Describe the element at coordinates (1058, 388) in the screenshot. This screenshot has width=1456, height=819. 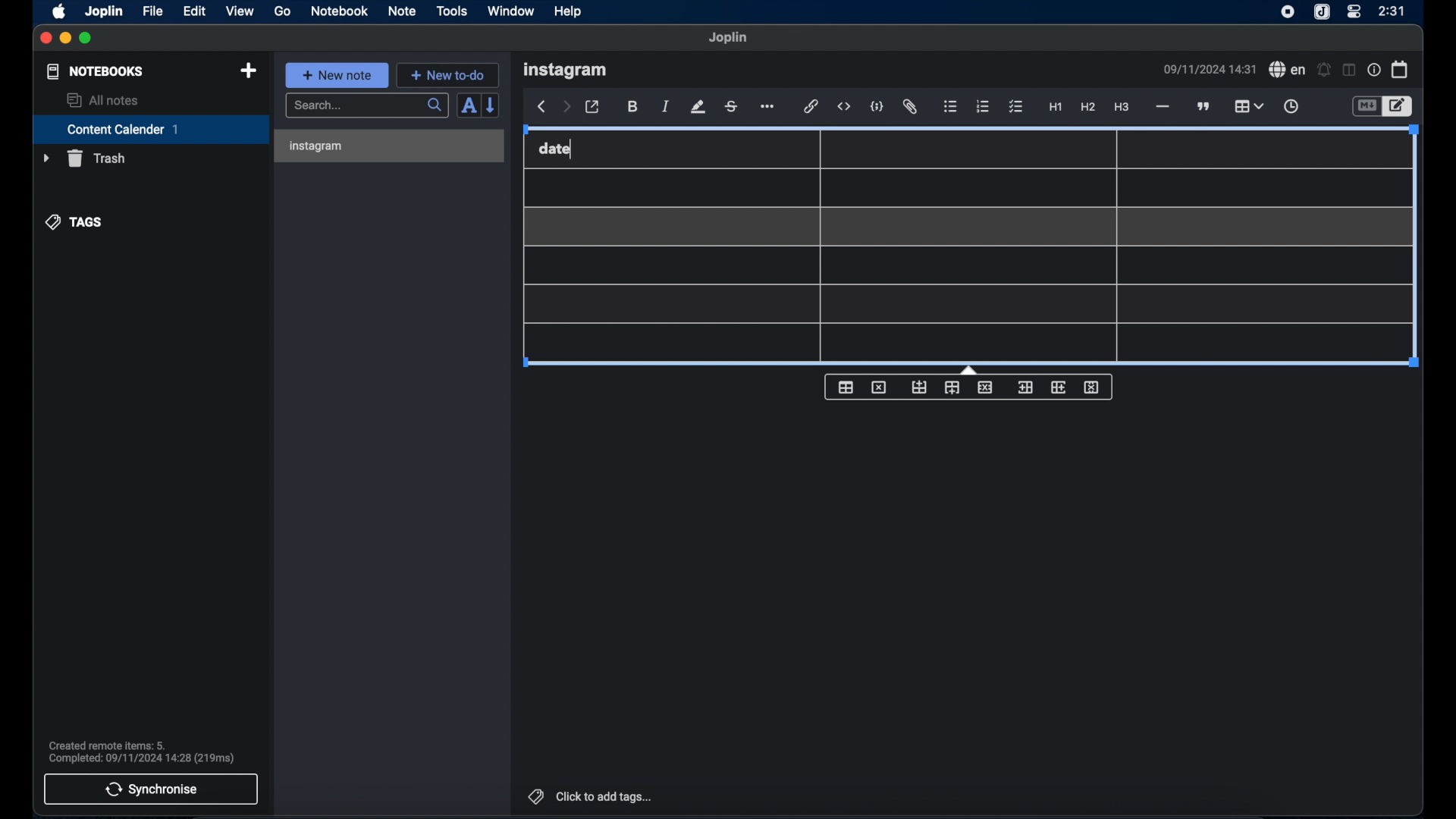
I see `insert column after` at that location.